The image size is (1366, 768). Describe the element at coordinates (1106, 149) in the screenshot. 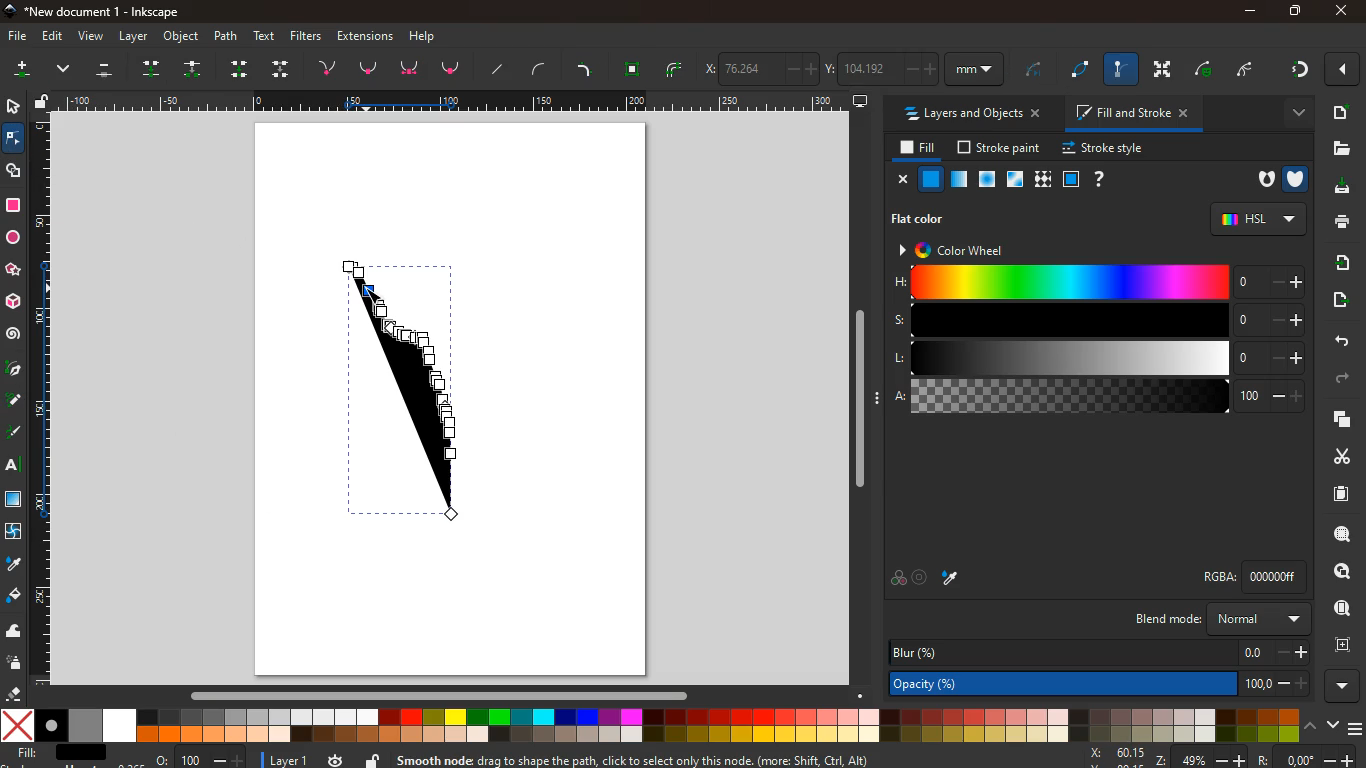

I see `stroke style` at that location.